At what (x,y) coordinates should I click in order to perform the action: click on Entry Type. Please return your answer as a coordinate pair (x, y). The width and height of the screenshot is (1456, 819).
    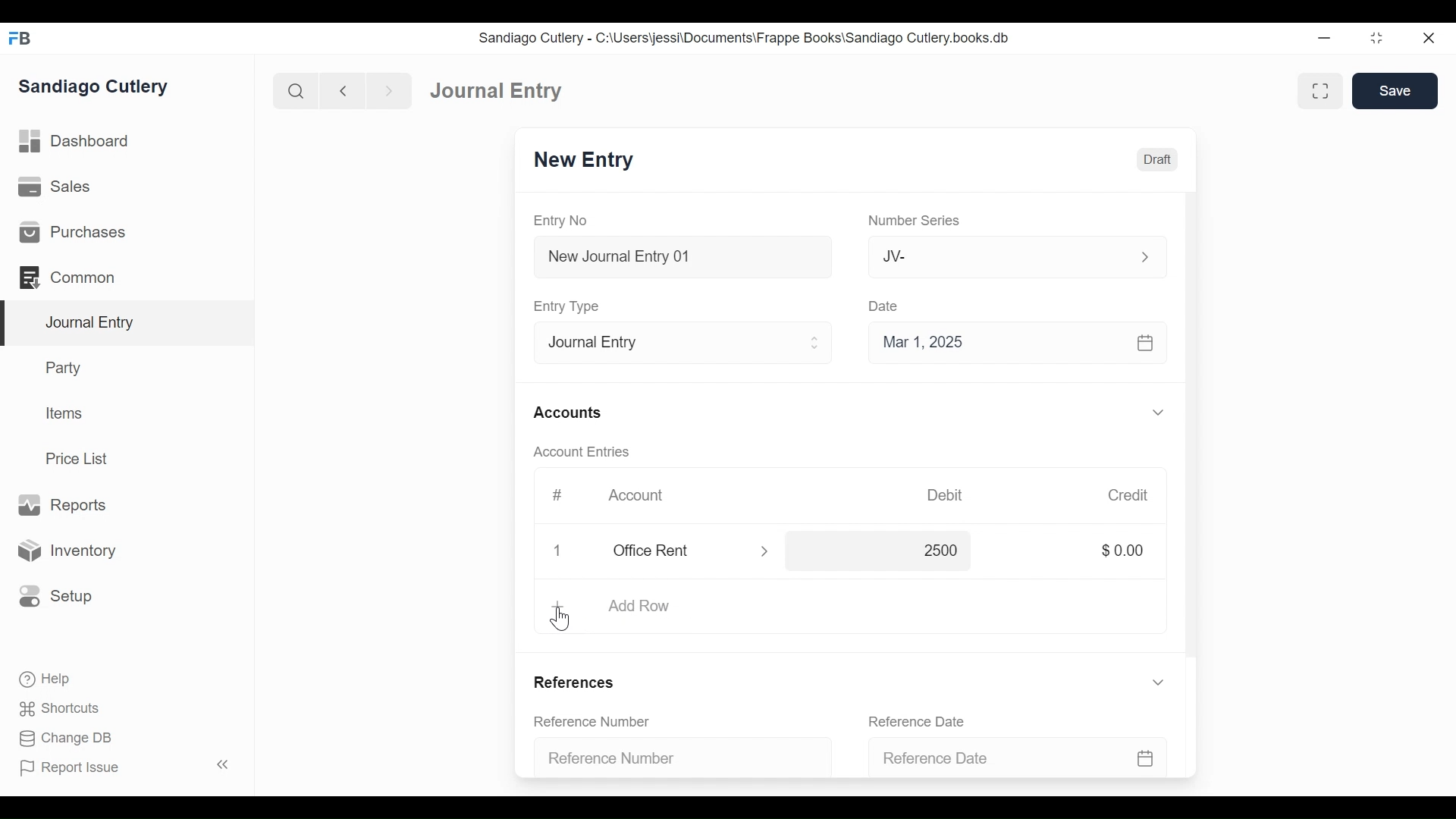
    Looking at the image, I should click on (566, 306).